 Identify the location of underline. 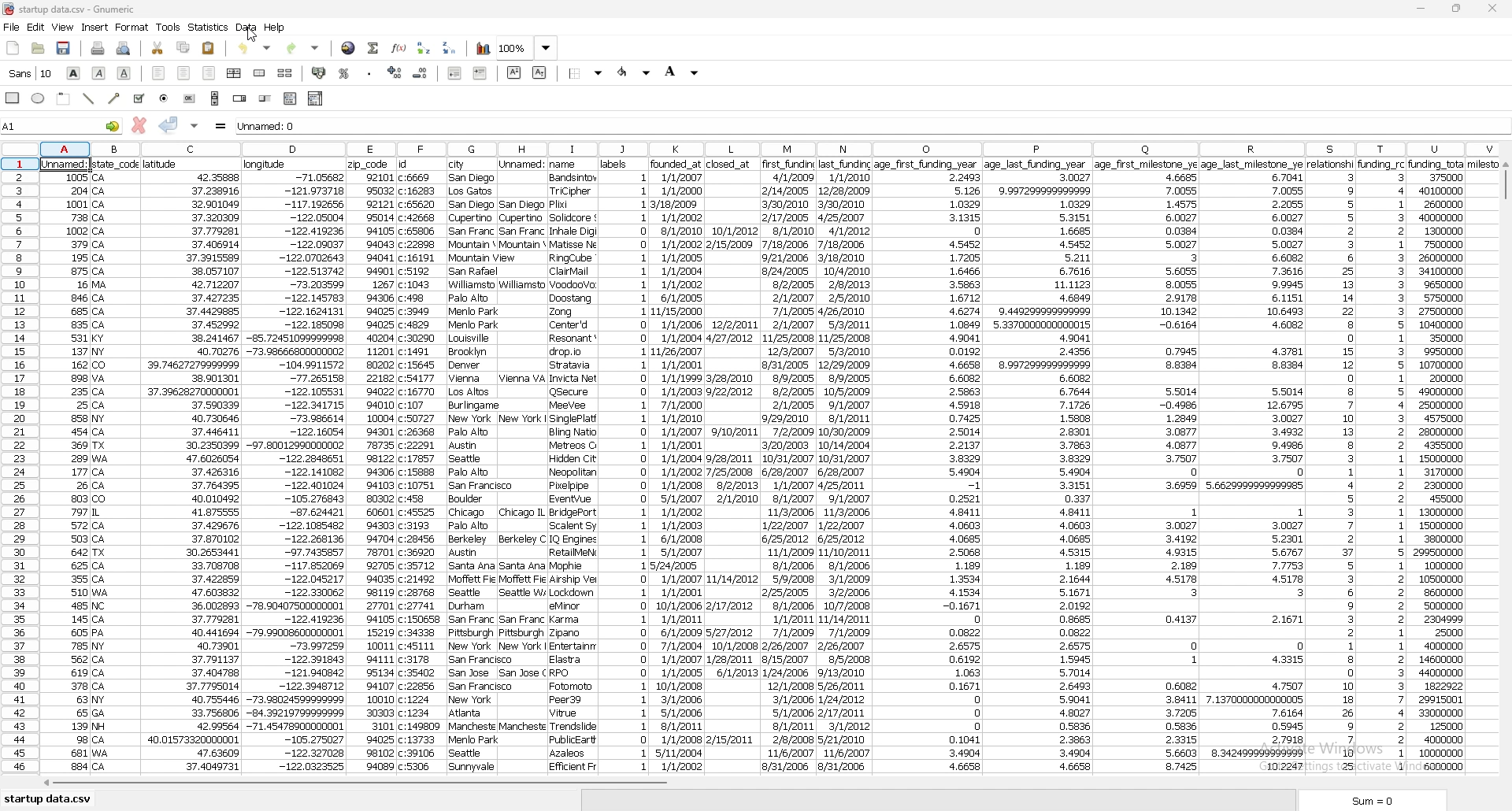
(125, 73).